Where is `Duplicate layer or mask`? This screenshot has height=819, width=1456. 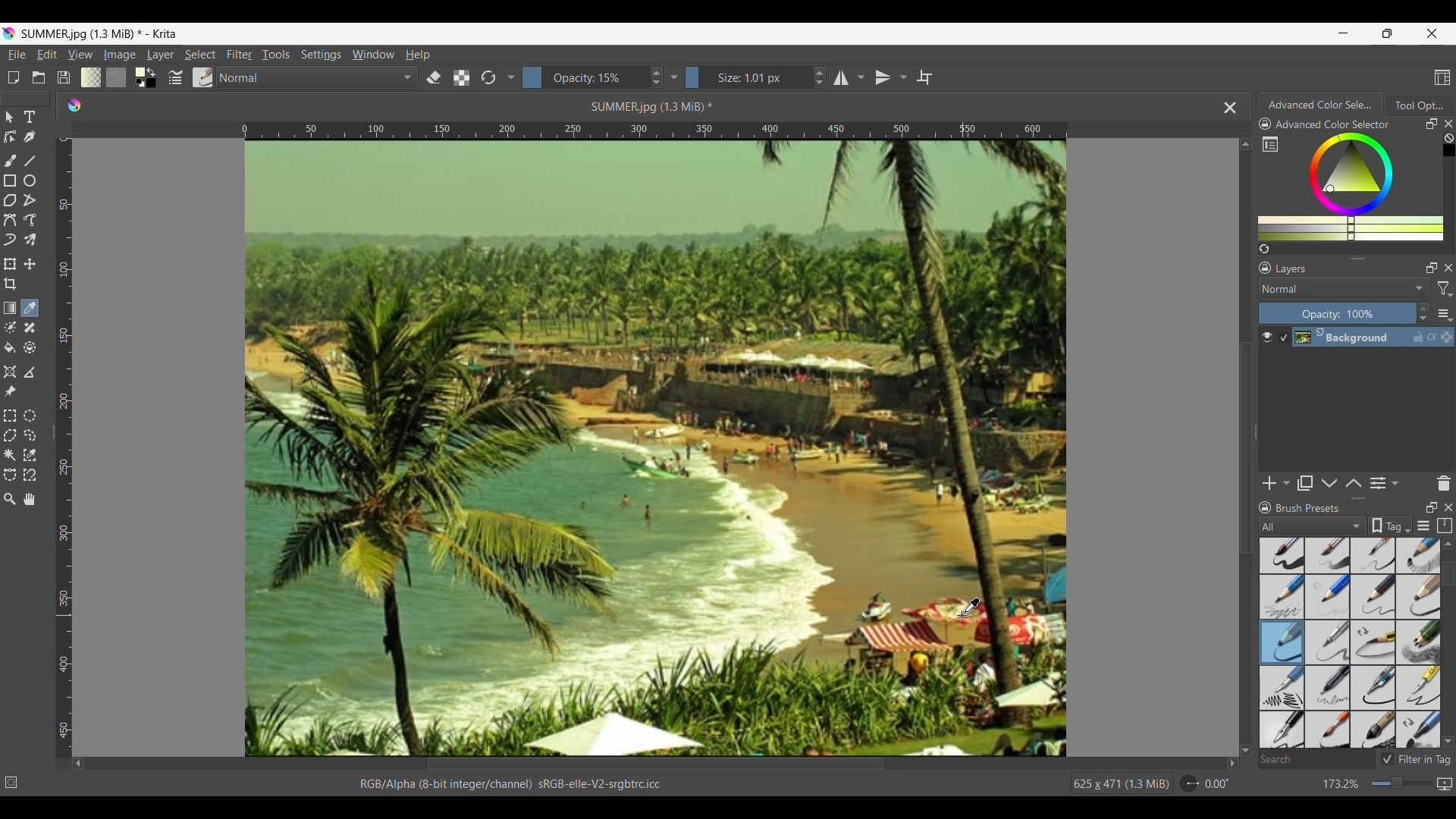
Duplicate layer or mask is located at coordinates (1304, 483).